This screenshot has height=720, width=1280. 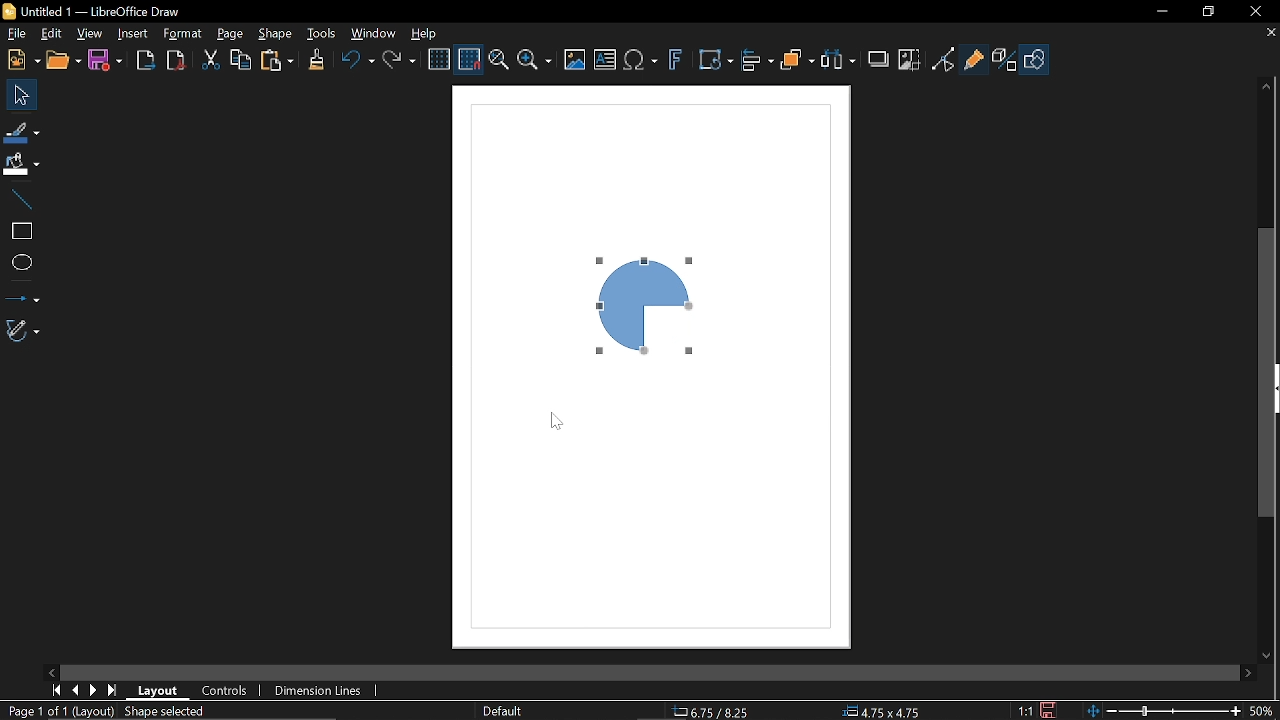 What do you see at coordinates (134, 34) in the screenshot?
I see `Insert` at bounding box center [134, 34].